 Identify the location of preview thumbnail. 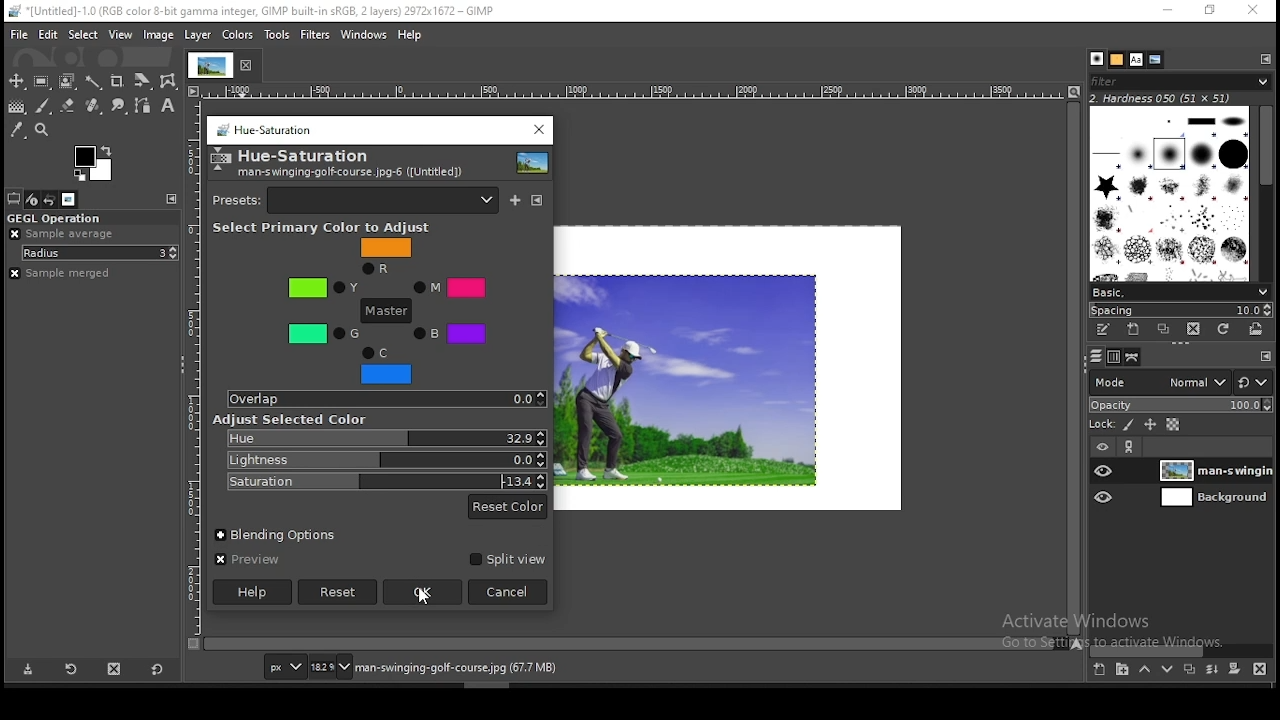
(529, 163).